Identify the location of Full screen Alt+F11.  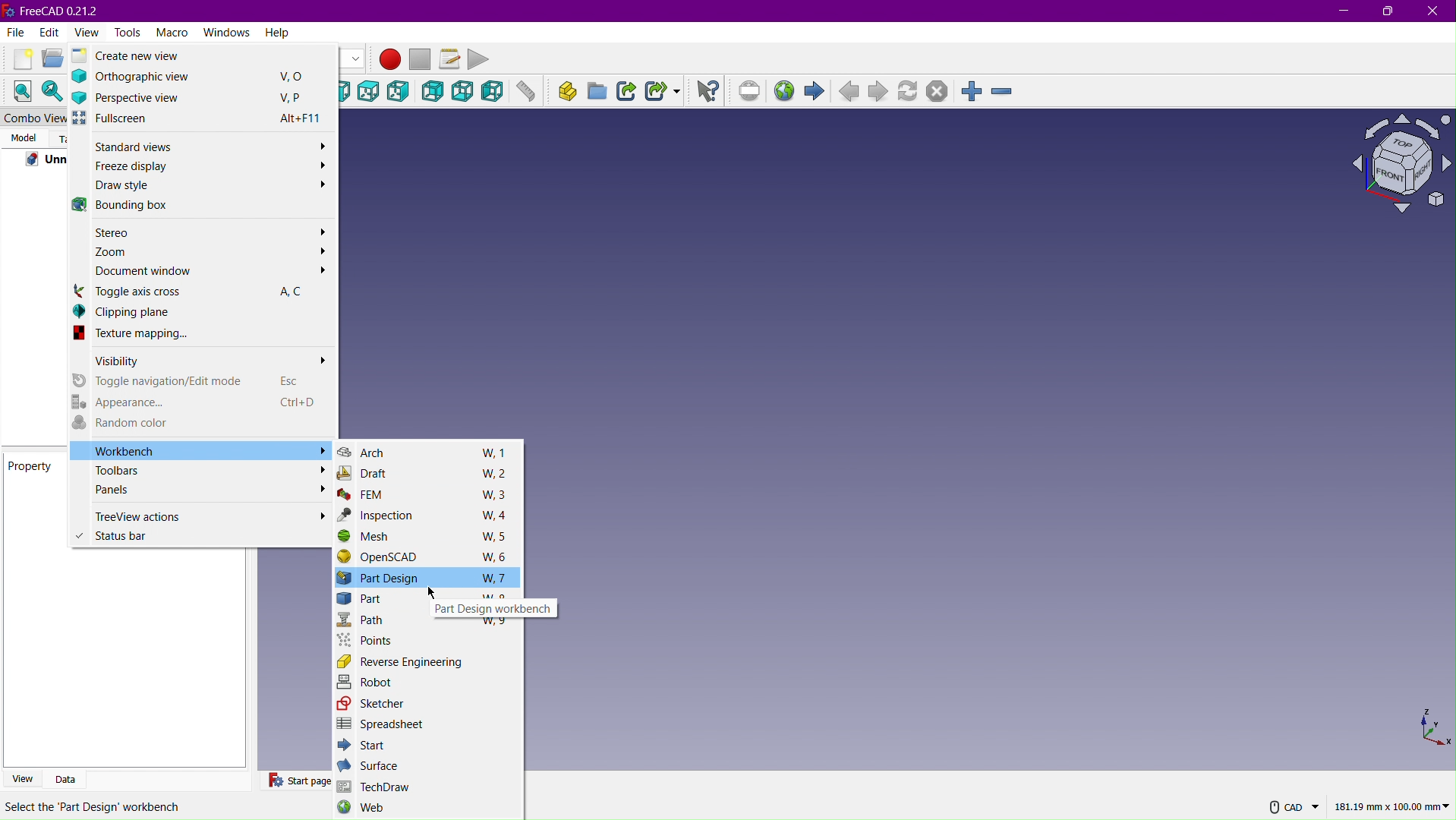
(196, 120).